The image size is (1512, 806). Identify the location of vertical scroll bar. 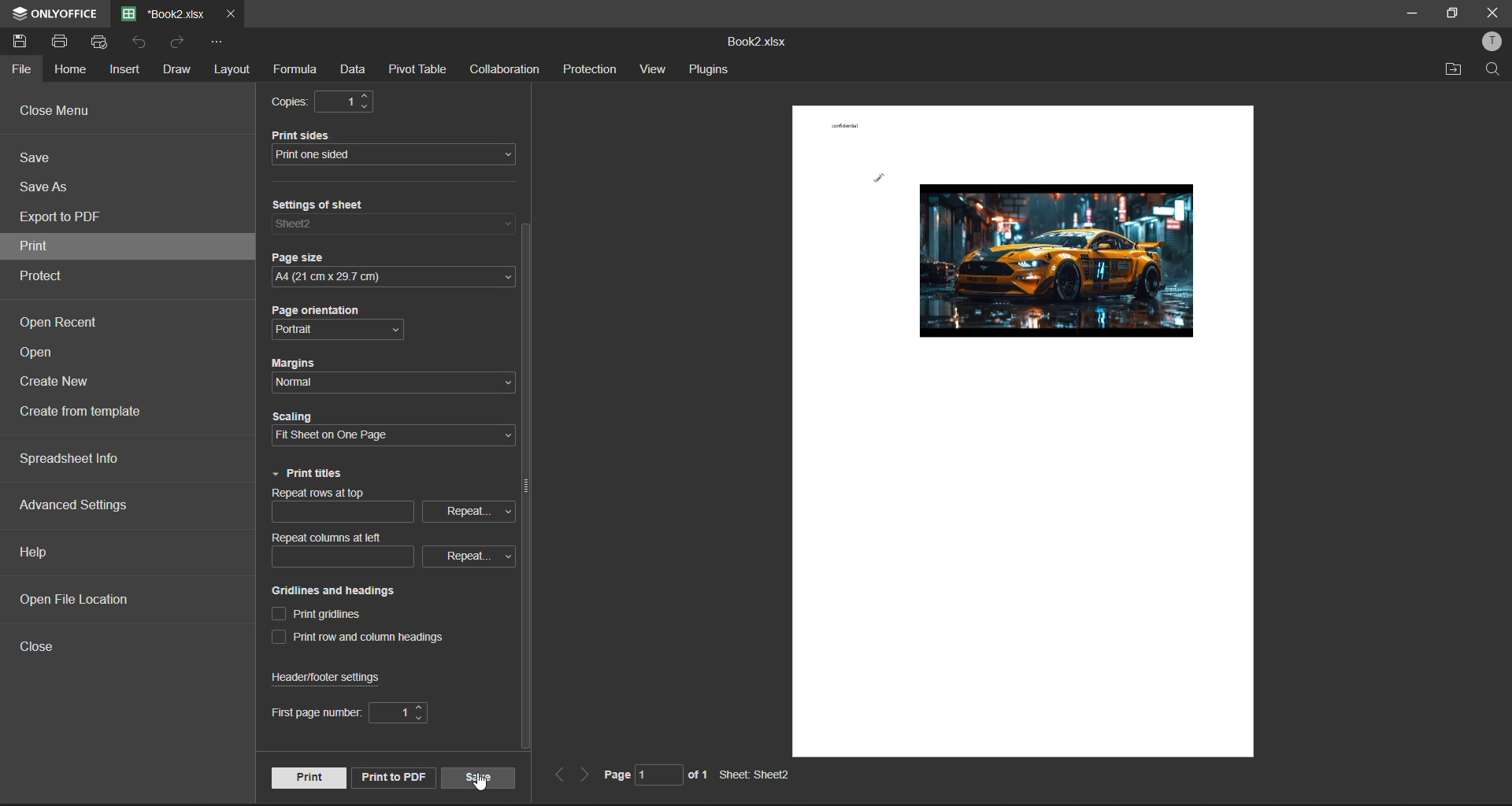
(525, 488).